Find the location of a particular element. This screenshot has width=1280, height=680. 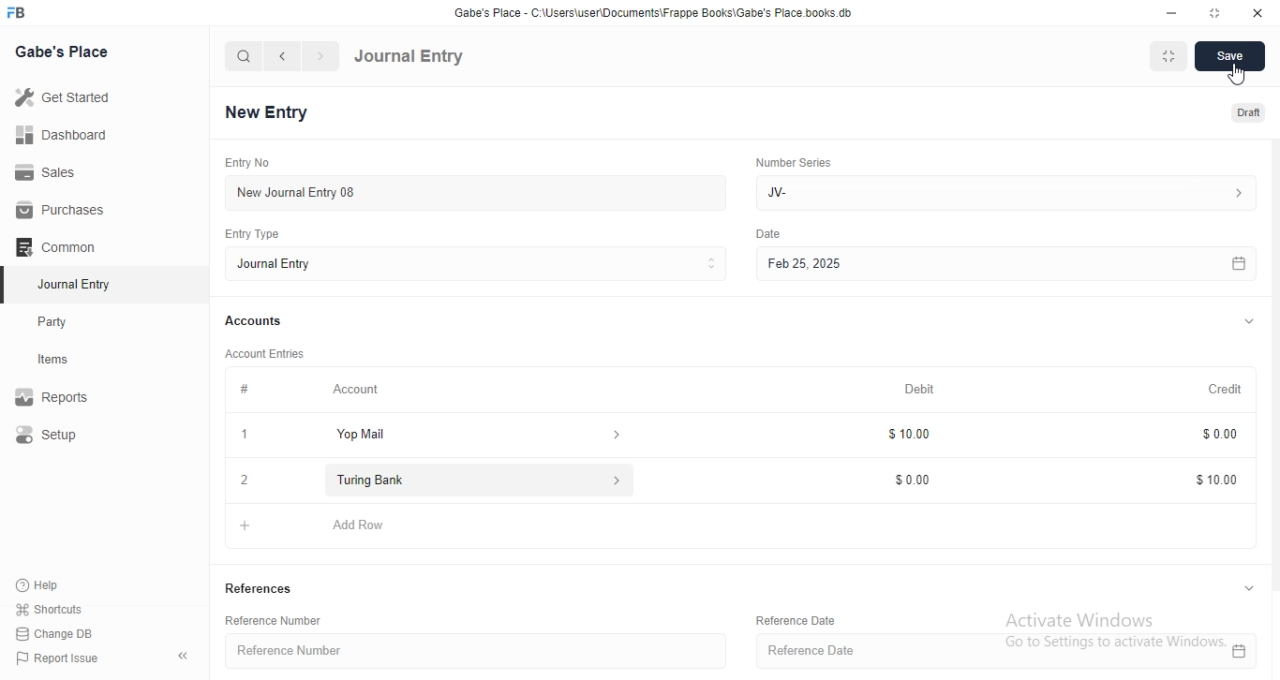

selected is located at coordinates (8, 286).